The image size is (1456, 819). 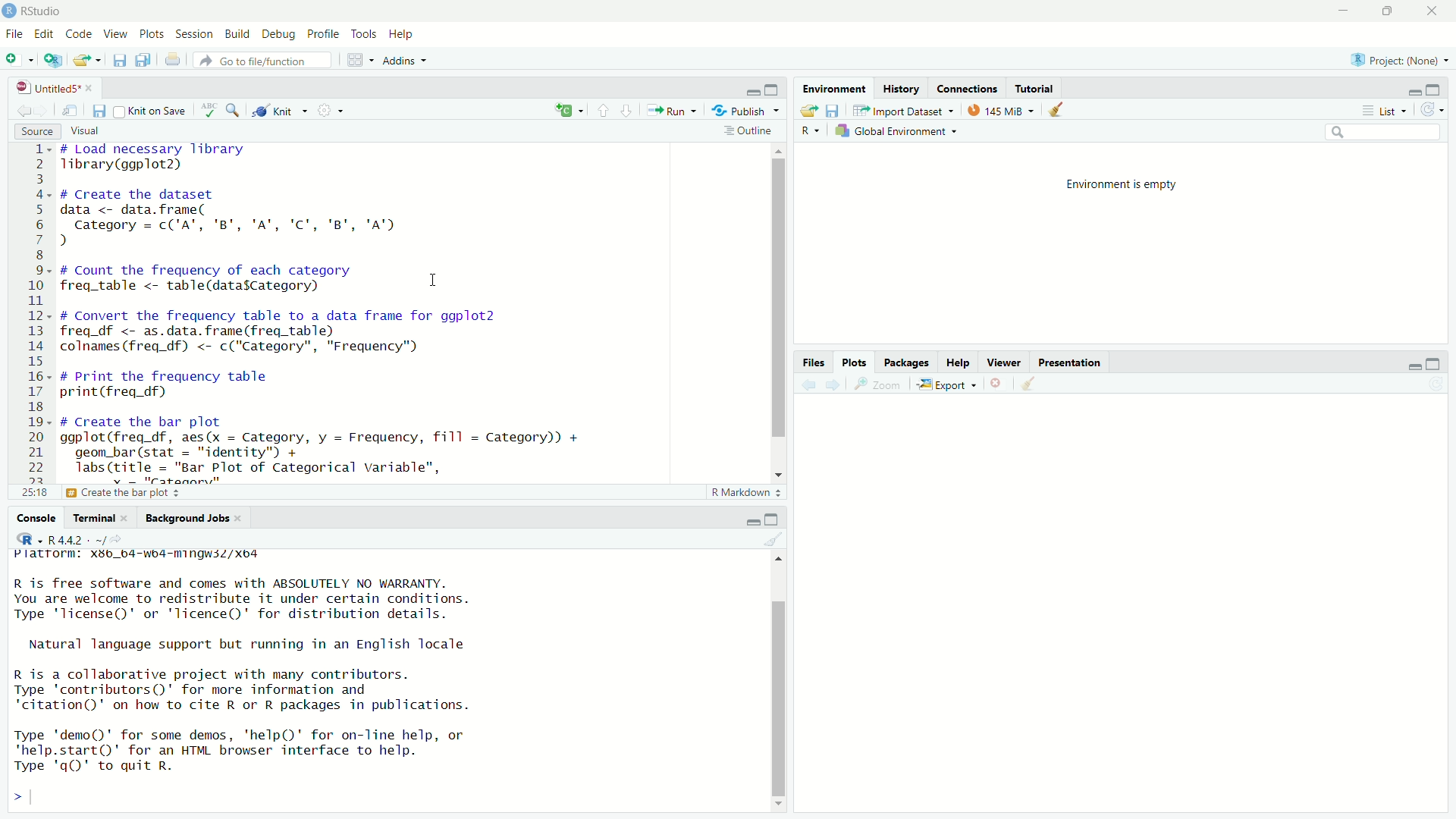 I want to click on tools, so click(x=366, y=34).